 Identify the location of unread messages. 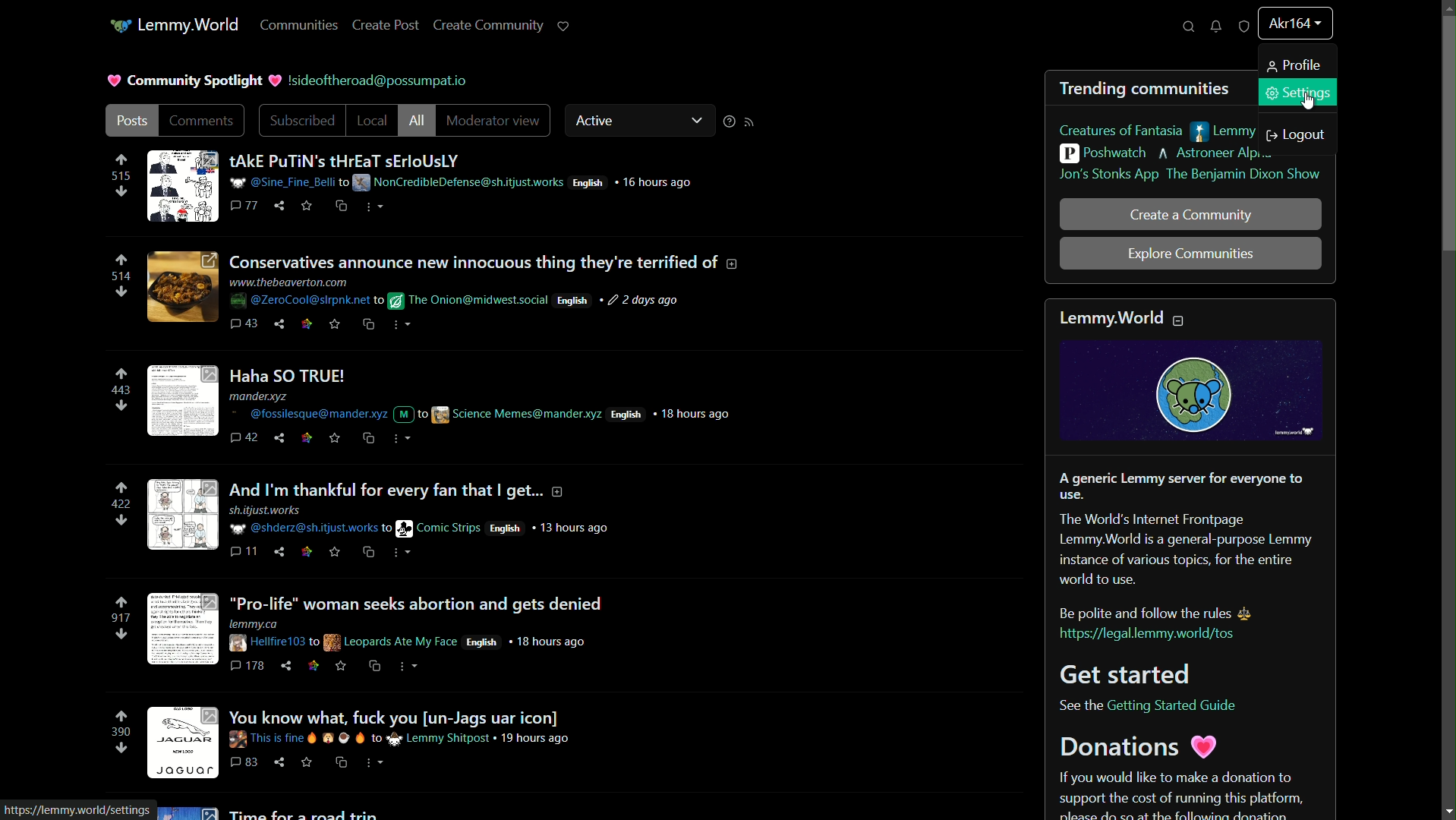
(1215, 27).